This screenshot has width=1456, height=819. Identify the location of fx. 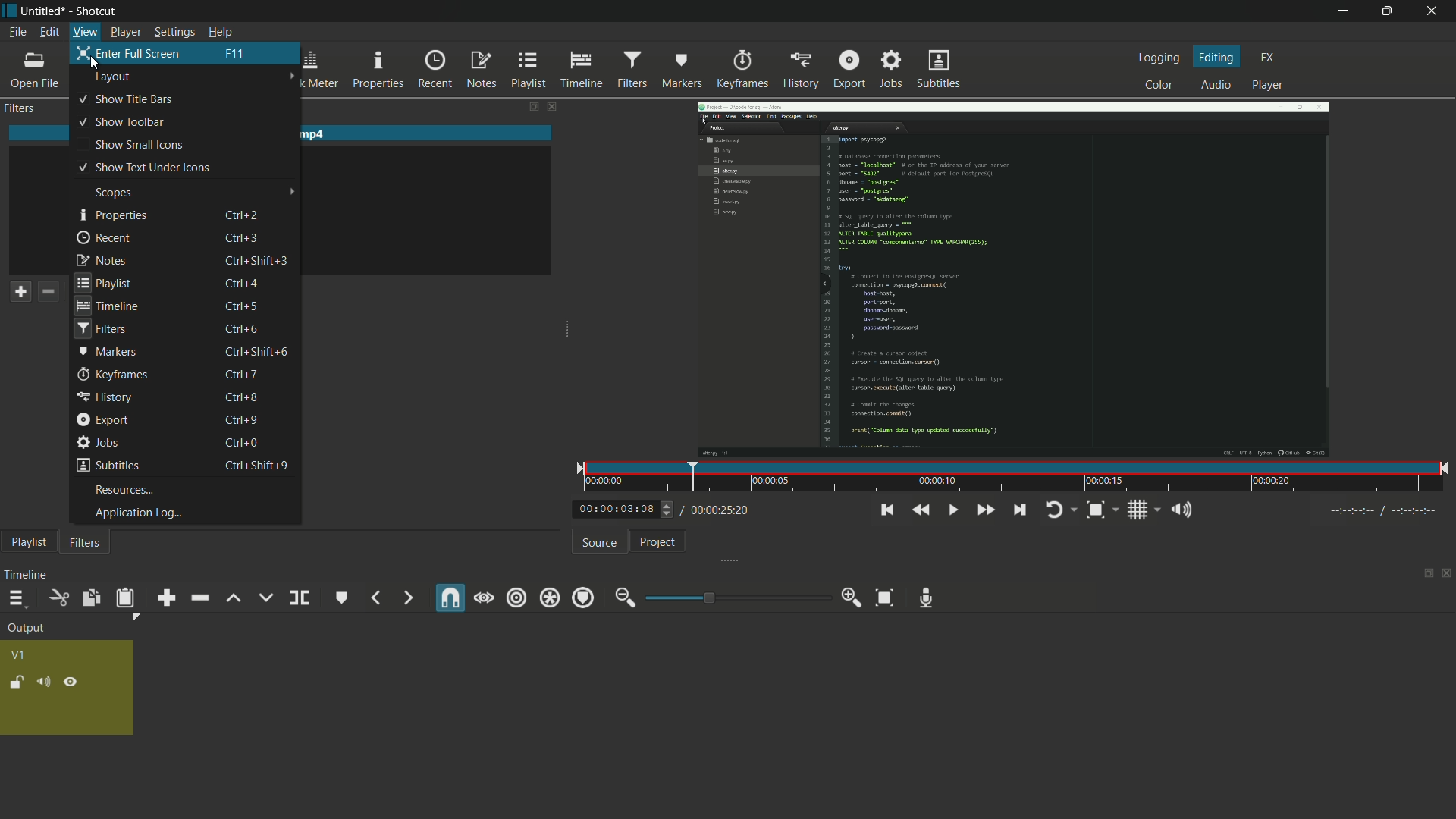
(1266, 58).